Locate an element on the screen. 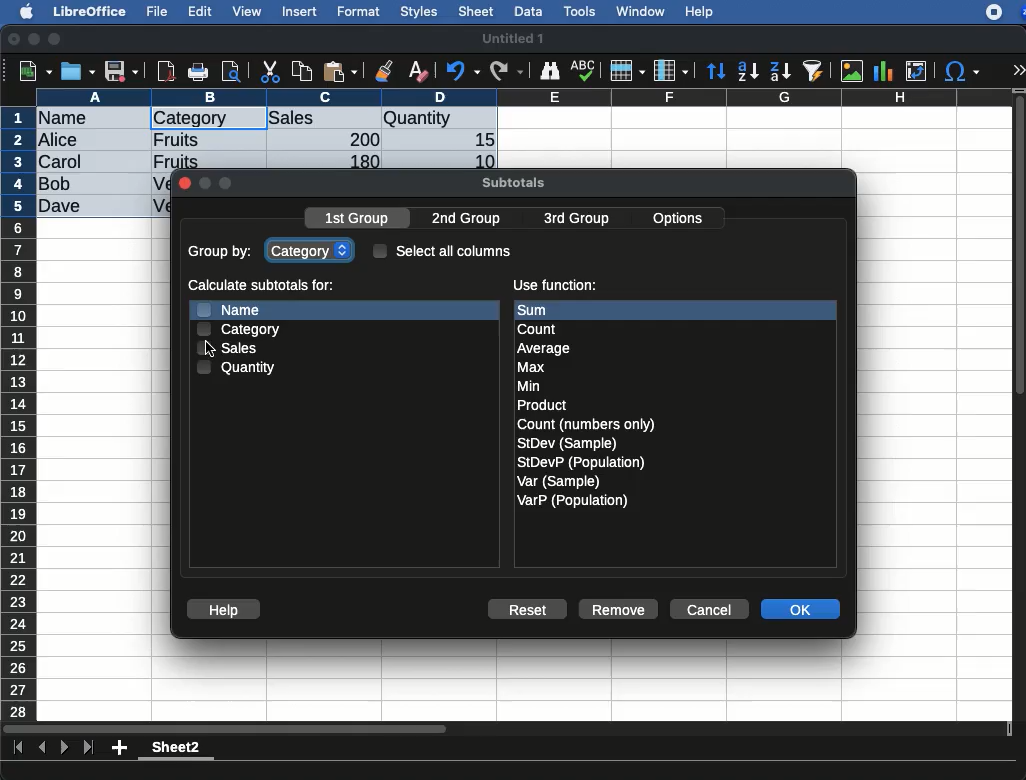 Image resolution: width=1026 pixels, height=780 pixels. close is located at coordinates (184, 185).